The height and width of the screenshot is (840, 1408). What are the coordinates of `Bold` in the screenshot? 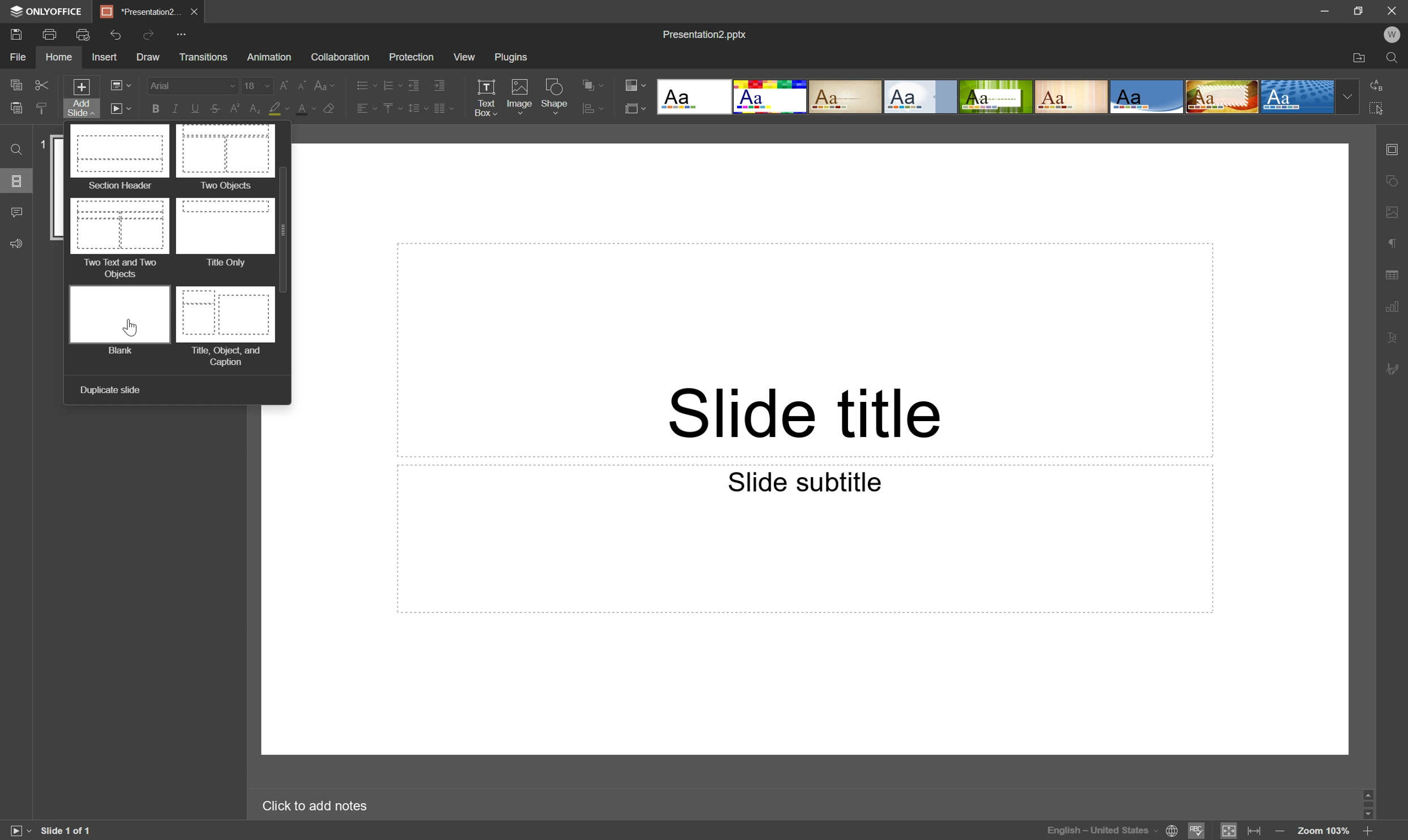 It's located at (155, 108).